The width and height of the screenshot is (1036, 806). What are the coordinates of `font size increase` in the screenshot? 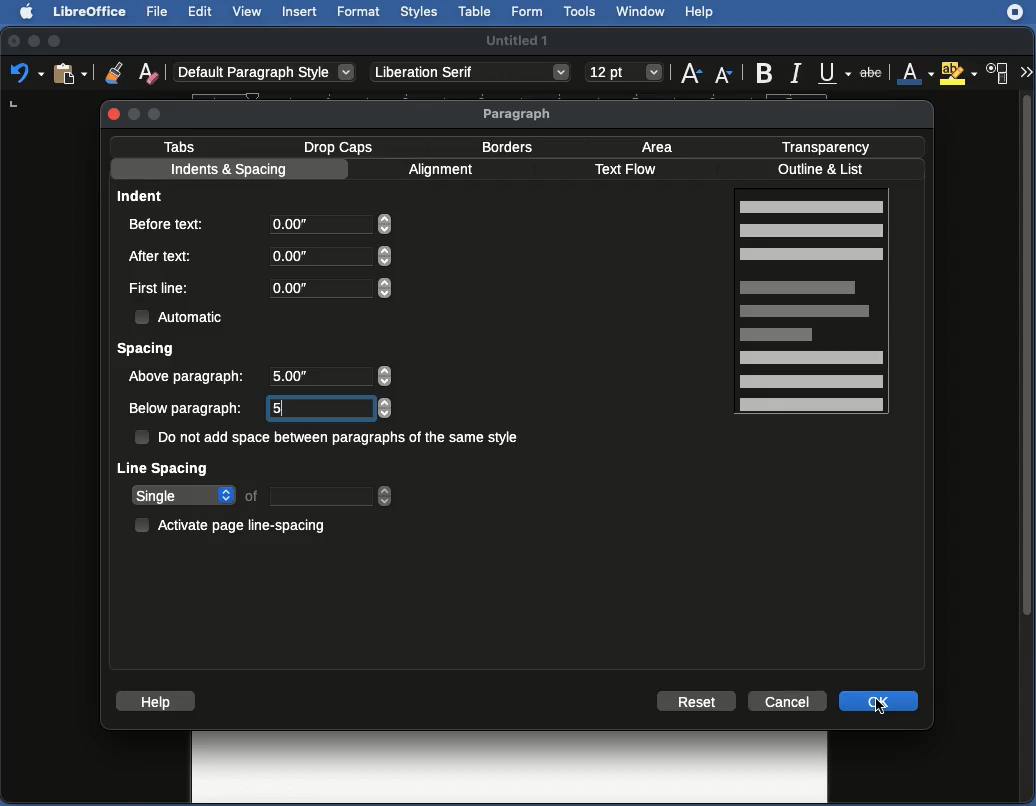 It's located at (688, 77).